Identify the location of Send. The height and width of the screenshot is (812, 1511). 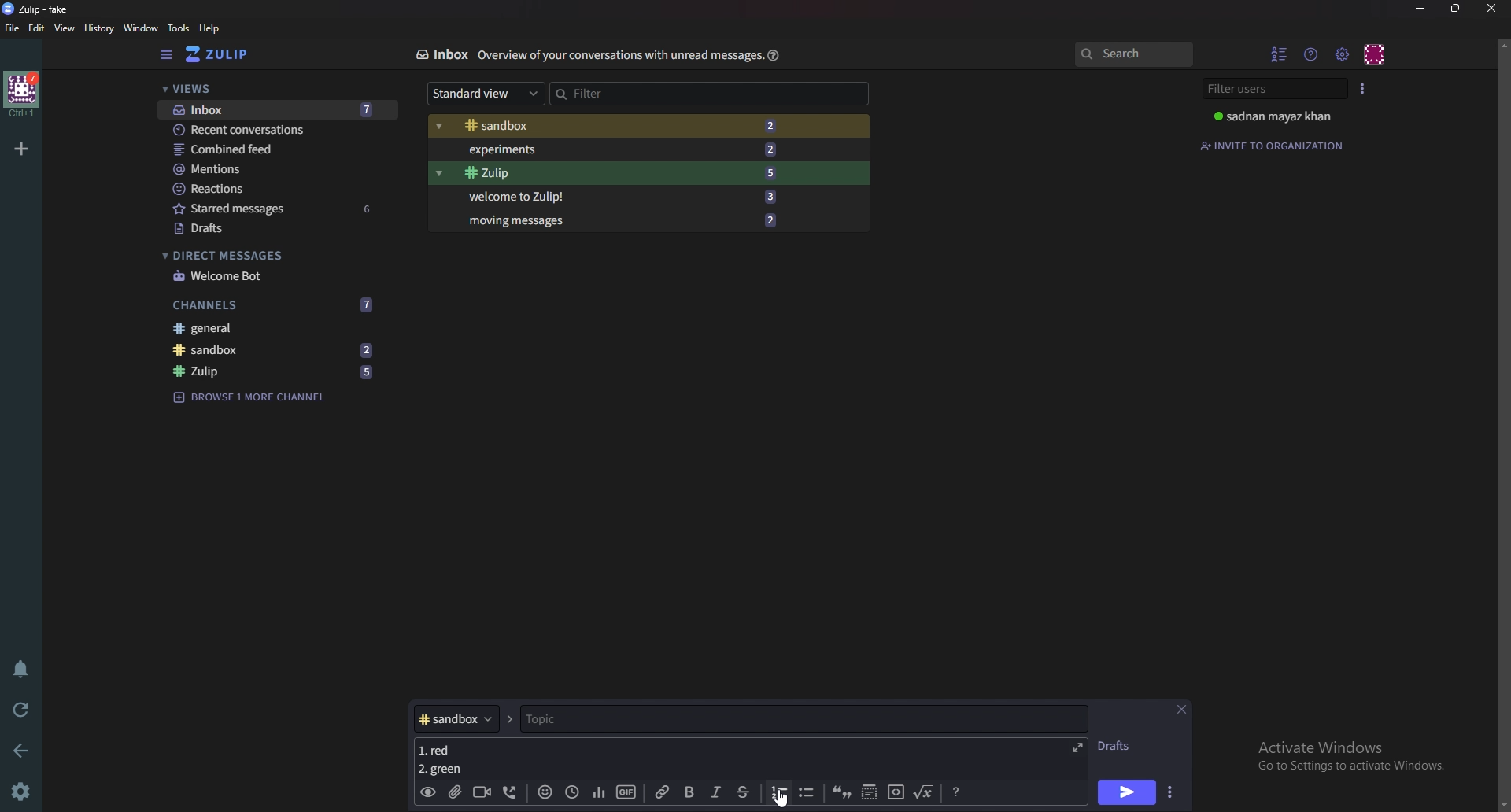
(1127, 792).